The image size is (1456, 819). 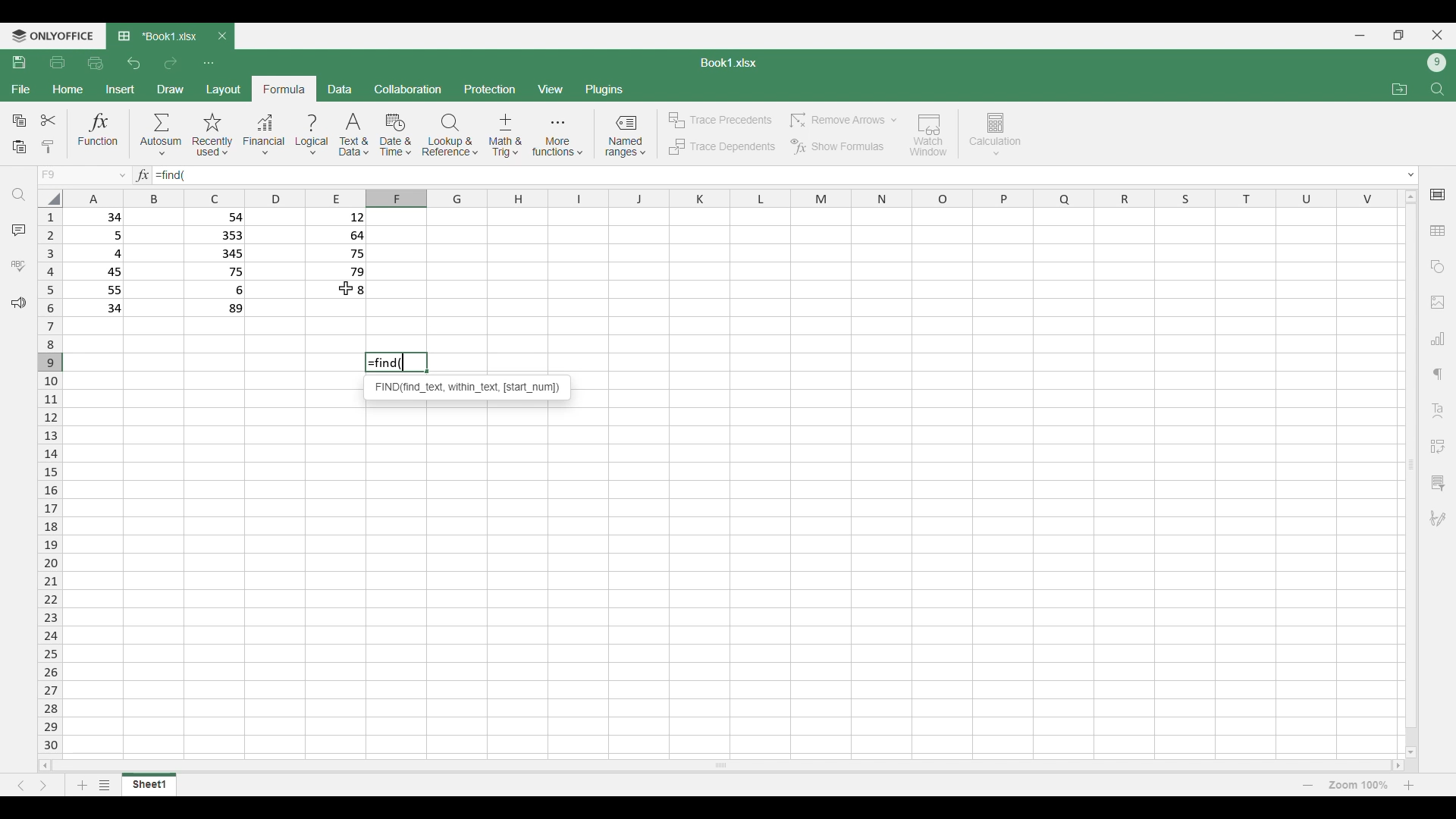 I want to click on Home menu, so click(x=67, y=89).